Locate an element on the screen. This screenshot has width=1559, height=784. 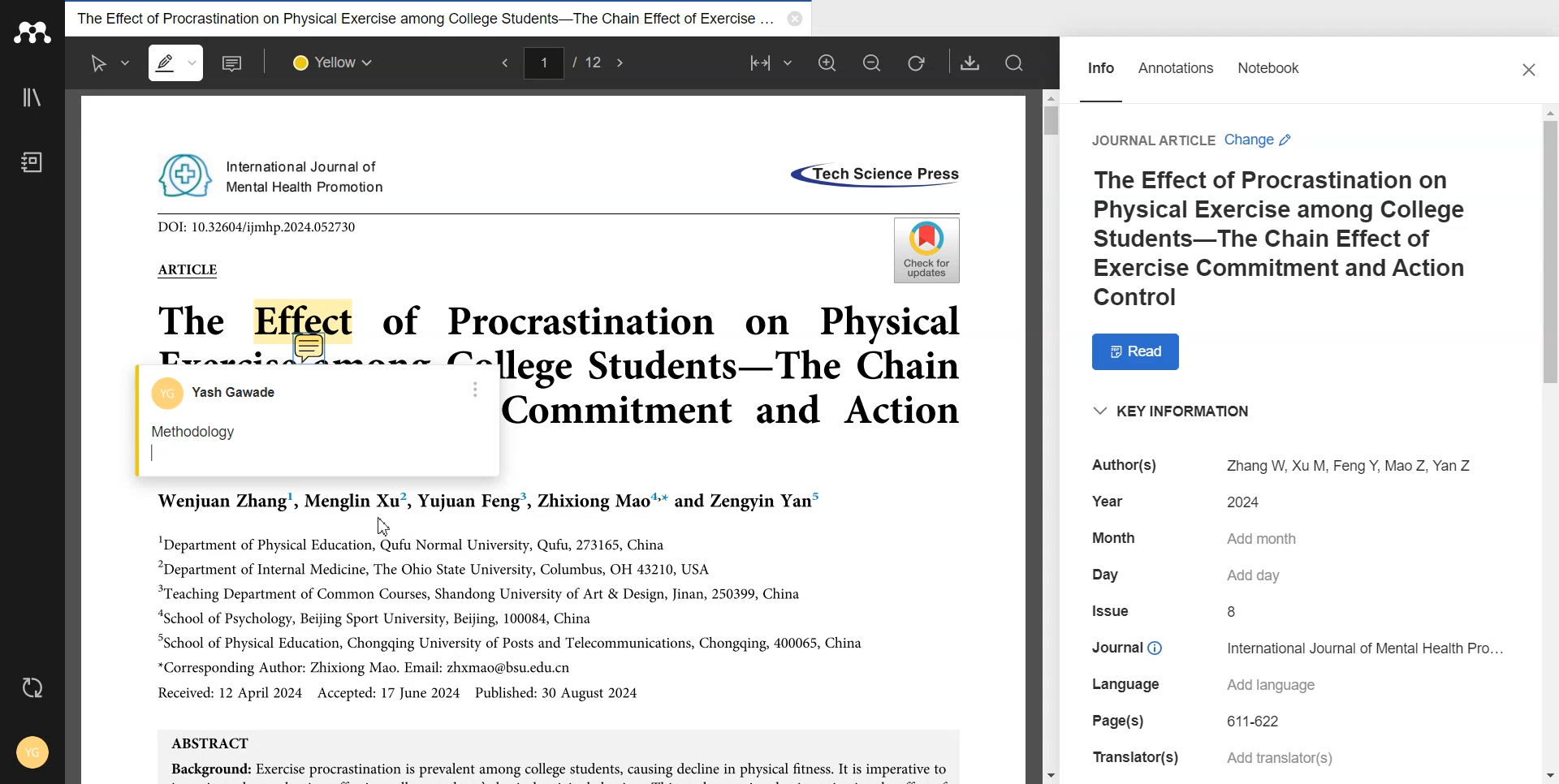
Wenjuan Zhang’, Menglin Xu’, Yujuan Feng’, Zhixiong Mao™* and Zengyin Yan” is located at coordinates (489, 502).